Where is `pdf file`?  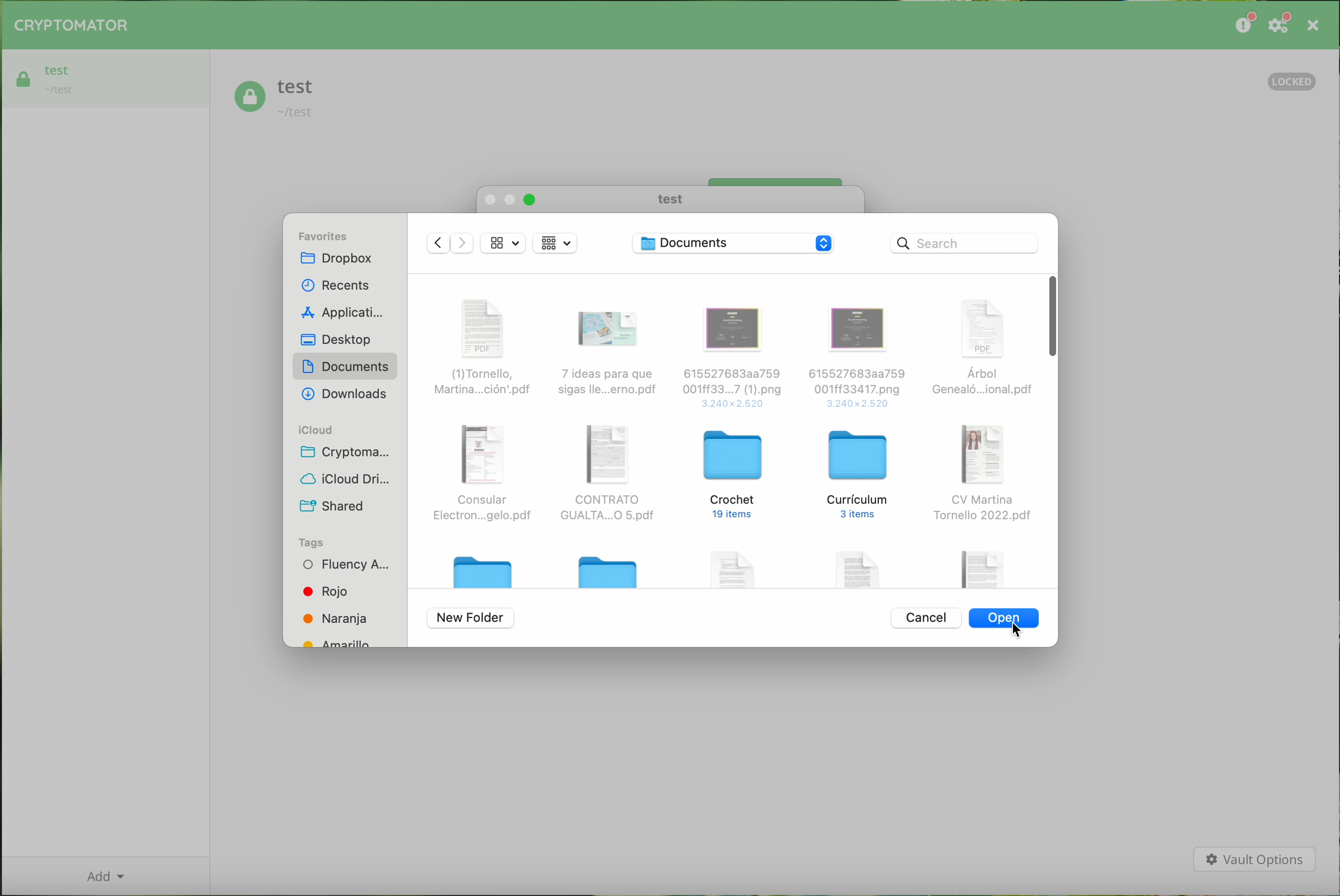 pdf file is located at coordinates (983, 474).